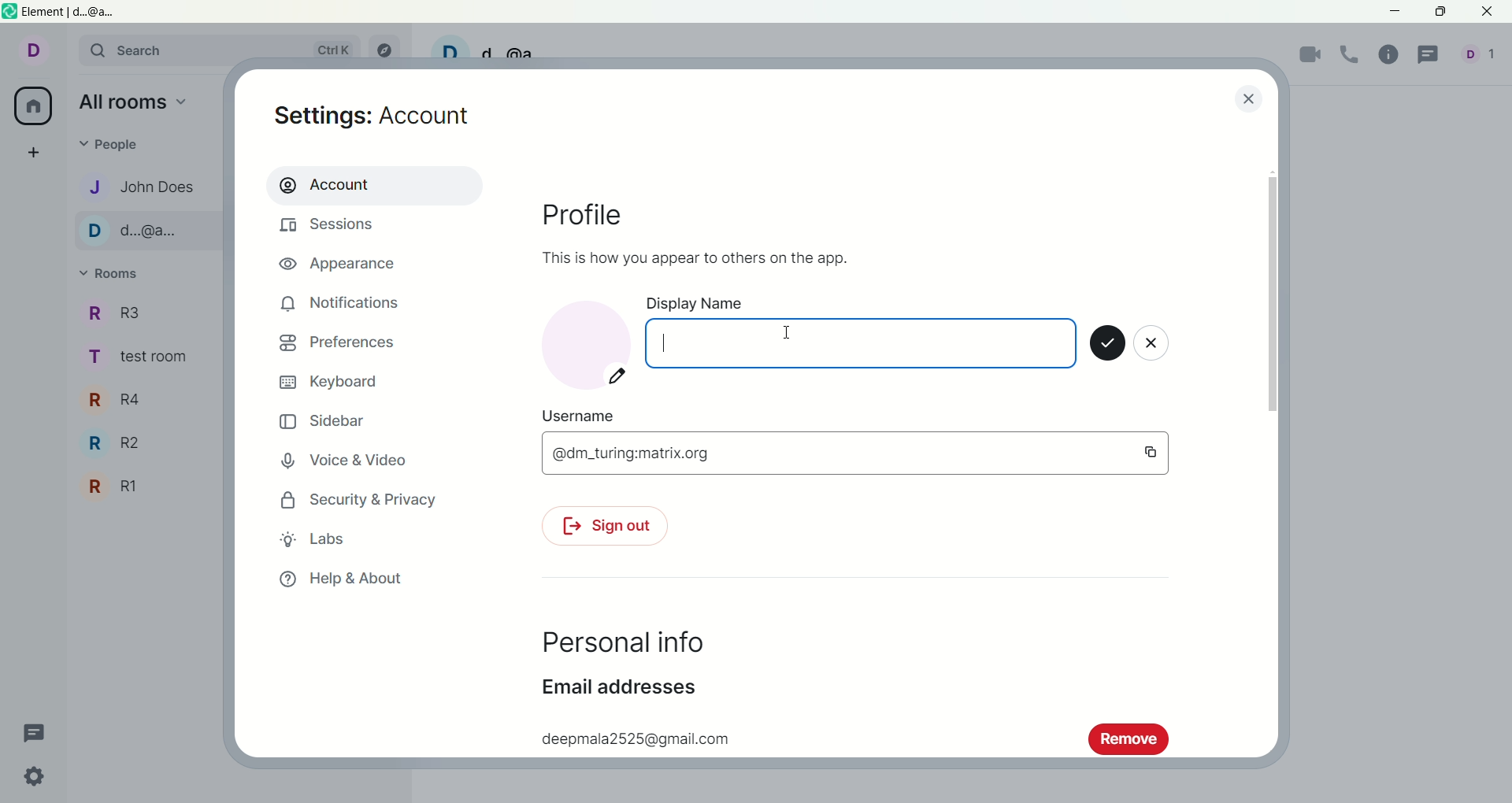 The height and width of the screenshot is (803, 1512). I want to click on deepmala 2525@gmail.com, so click(632, 736).